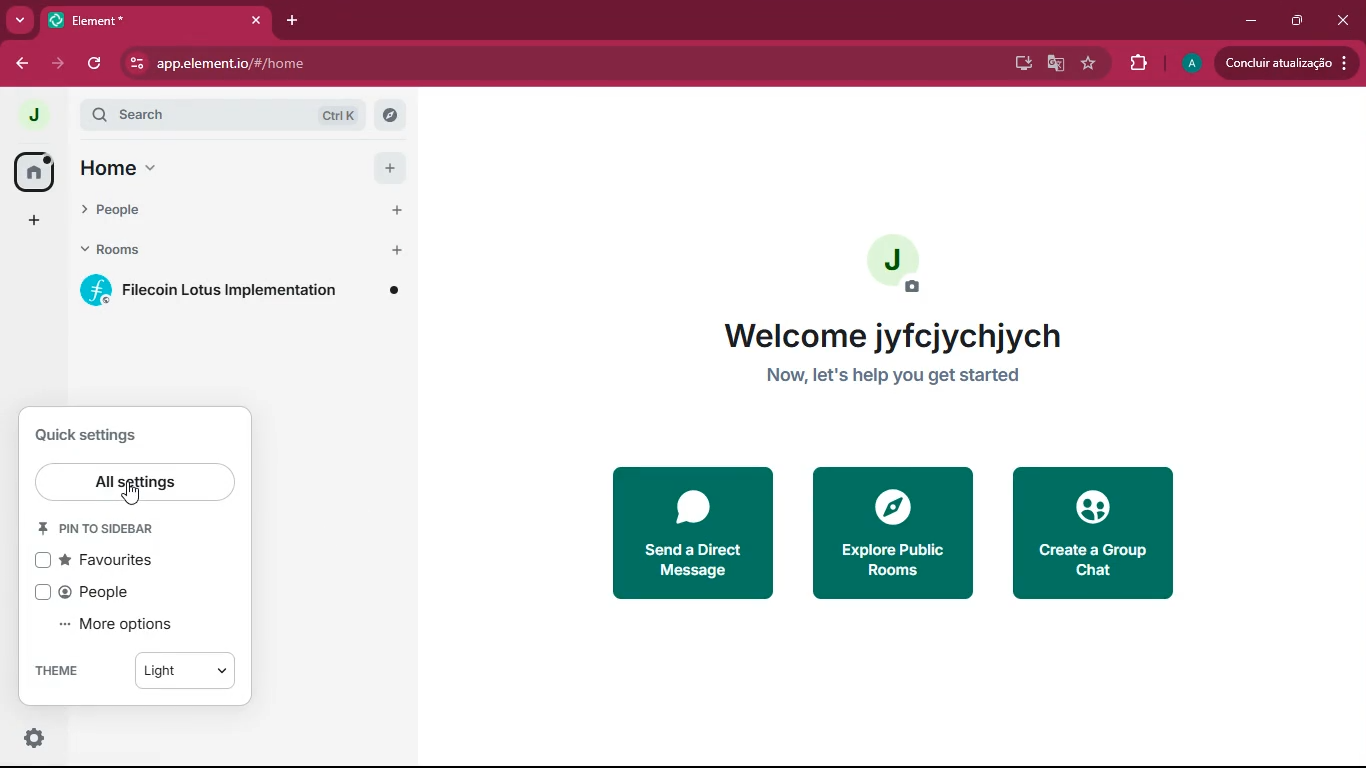  What do you see at coordinates (184, 674) in the screenshot?
I see `light` at bounding box center [184, 674].